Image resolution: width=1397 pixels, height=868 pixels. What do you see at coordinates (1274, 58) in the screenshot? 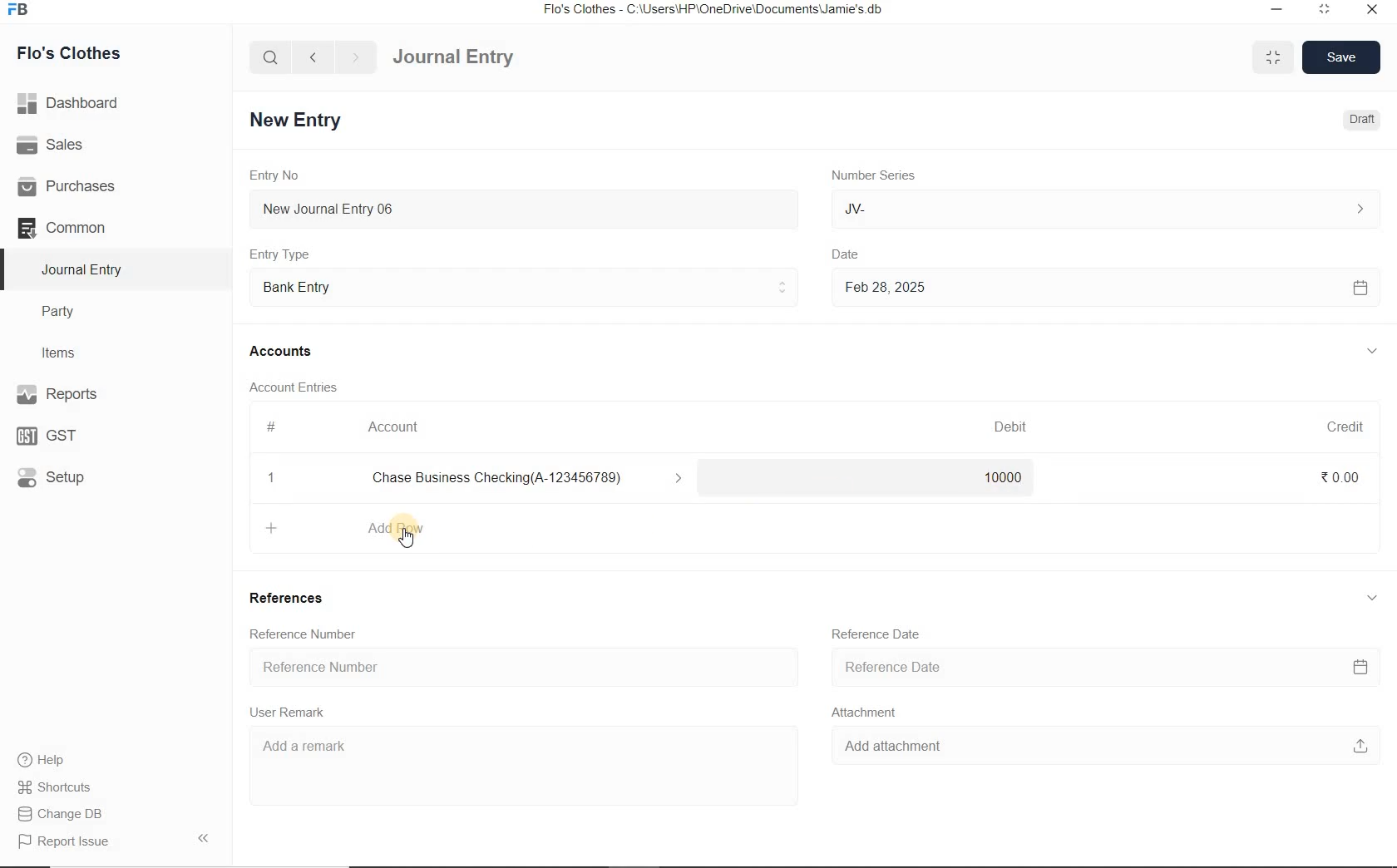
I see `minimise/maximise` at bounding box center [1274, 58].